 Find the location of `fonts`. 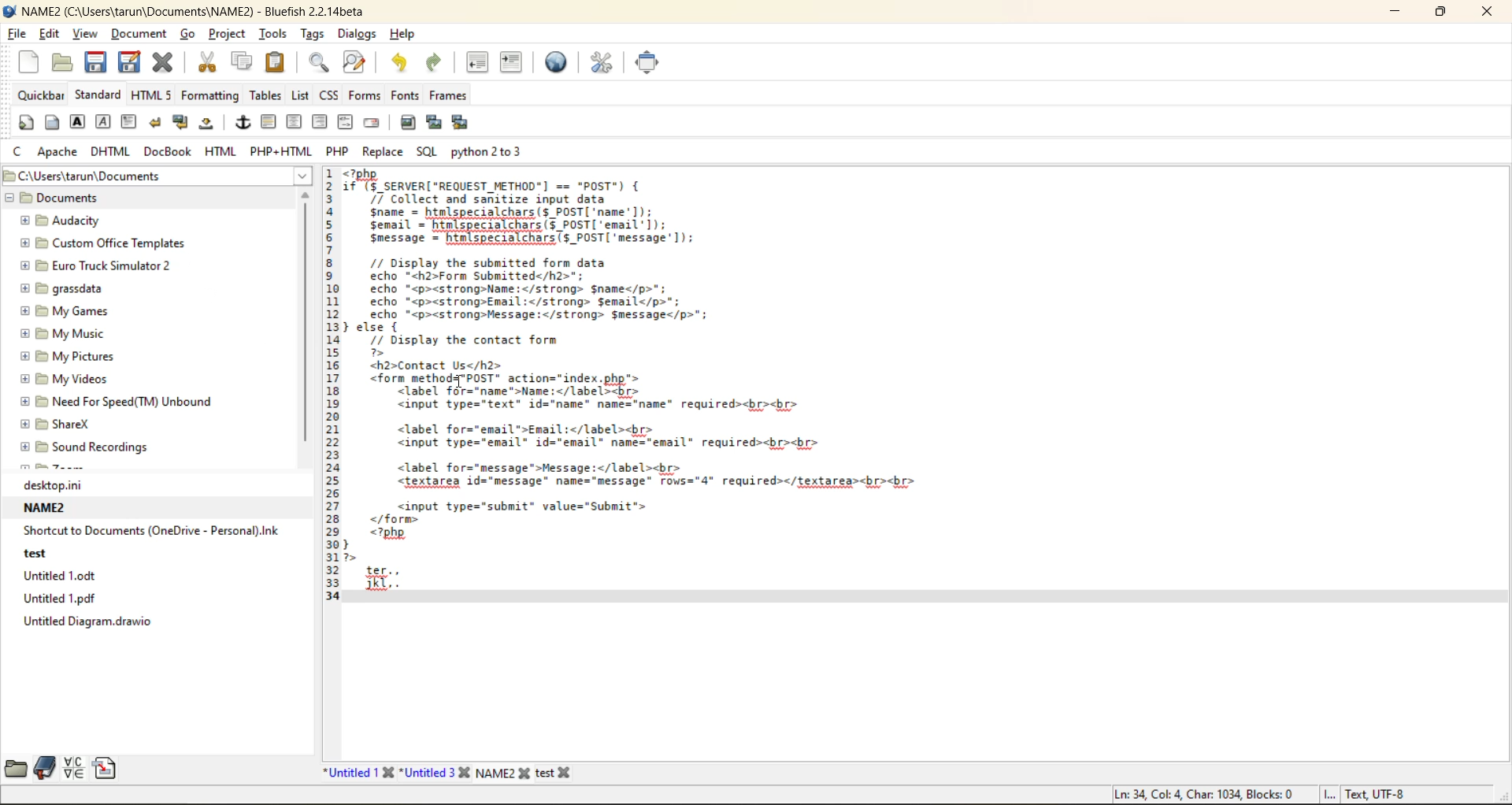

fonts is located at coordinates (399, 95).